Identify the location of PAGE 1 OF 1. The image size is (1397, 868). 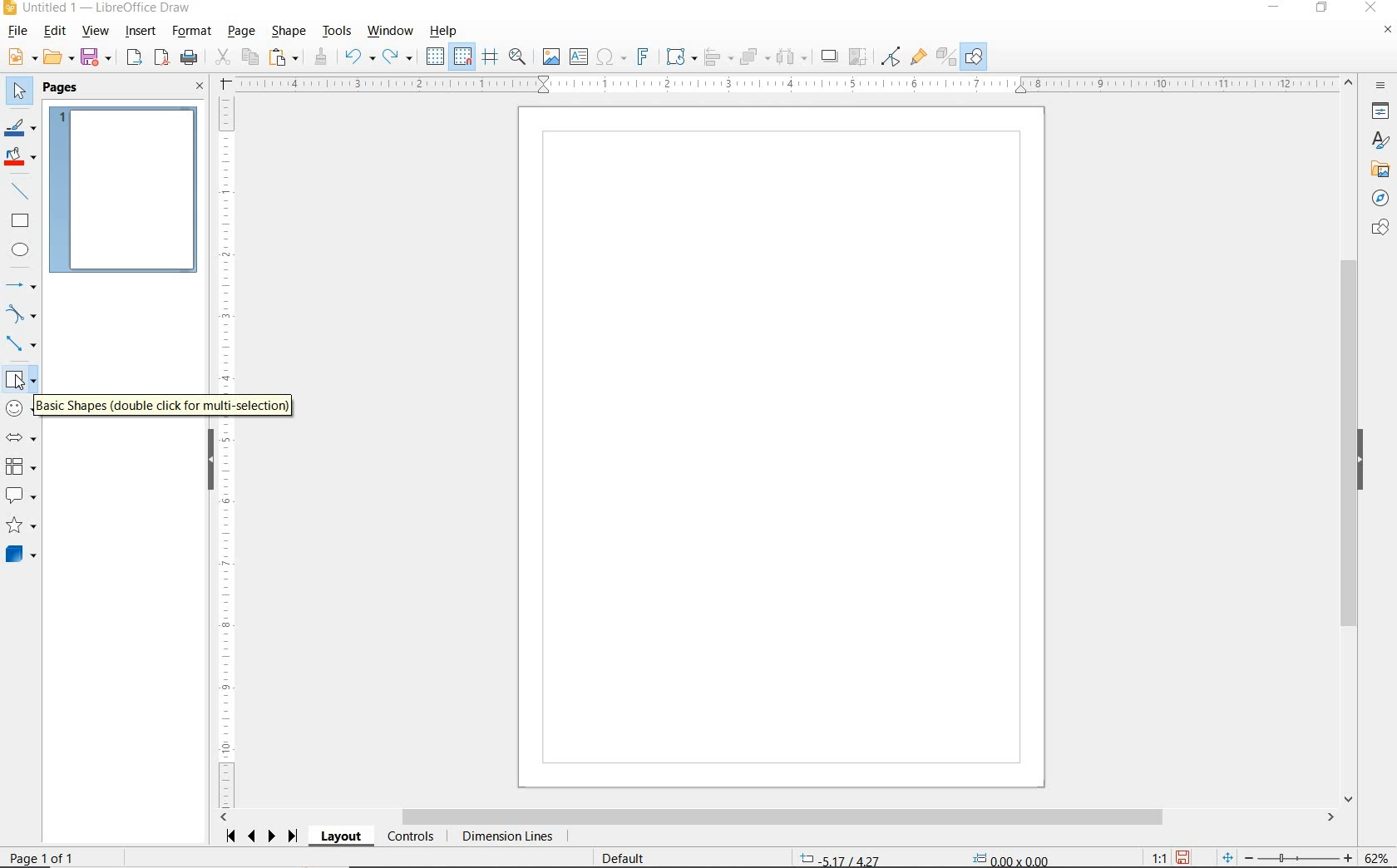
(42, 856).